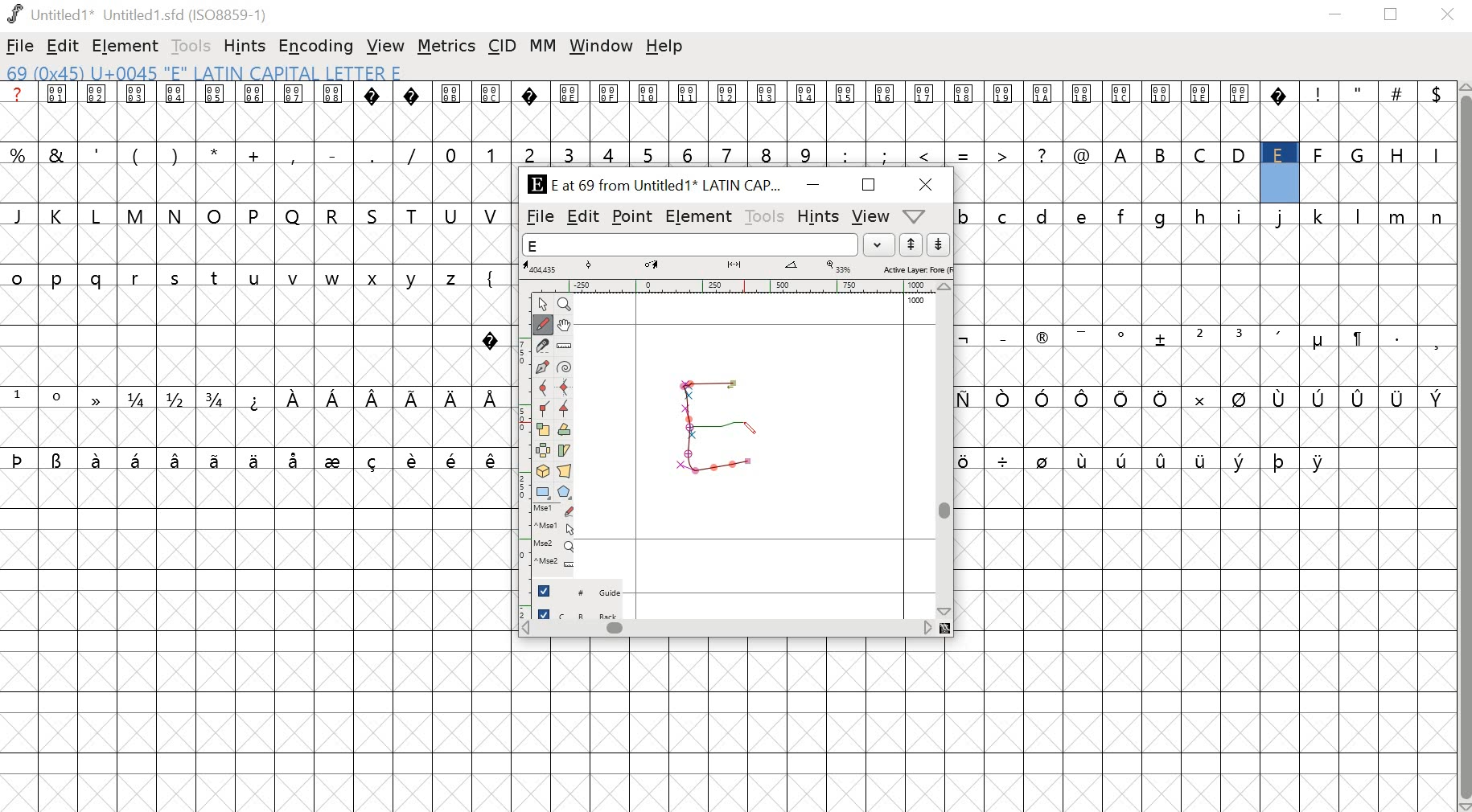 This screenshot has width=1472, height=812. What do you see at coordinates (543, 47) in the screenshot?
I see `MM` at bounding box center [543, 47].